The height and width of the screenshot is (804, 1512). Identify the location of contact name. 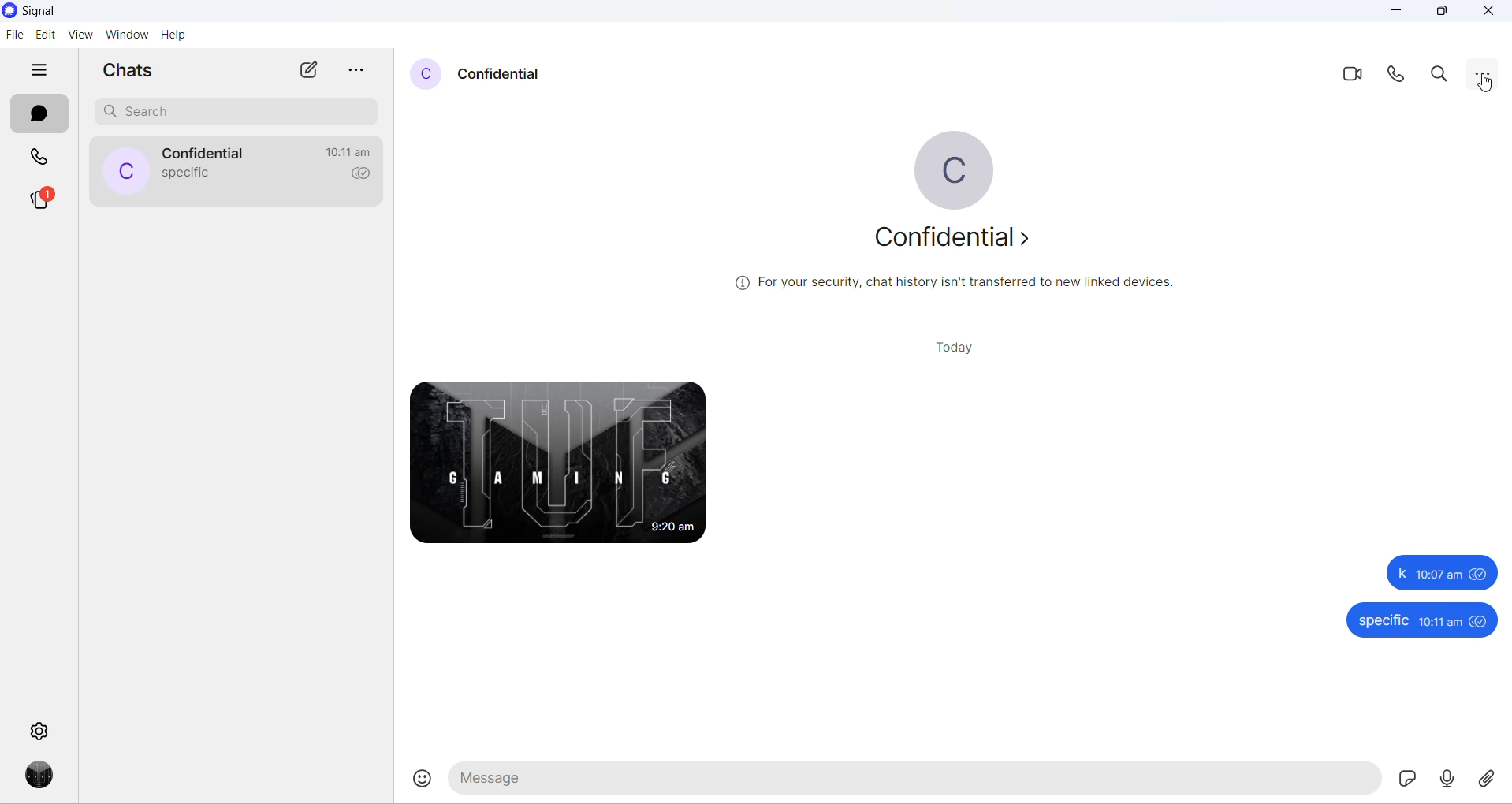
(210, 154).